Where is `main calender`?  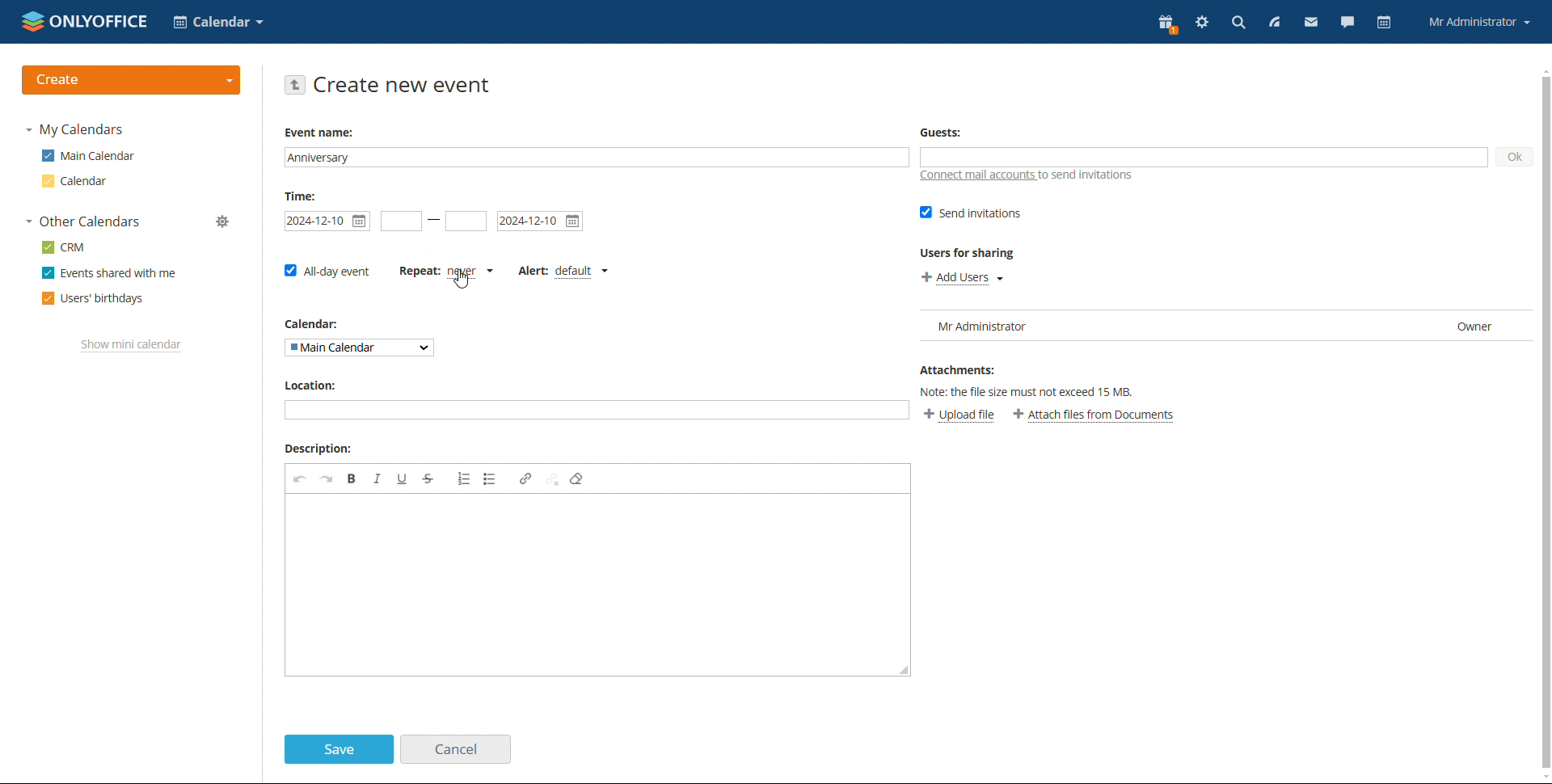 main calender is located at coordinates (86, 158).